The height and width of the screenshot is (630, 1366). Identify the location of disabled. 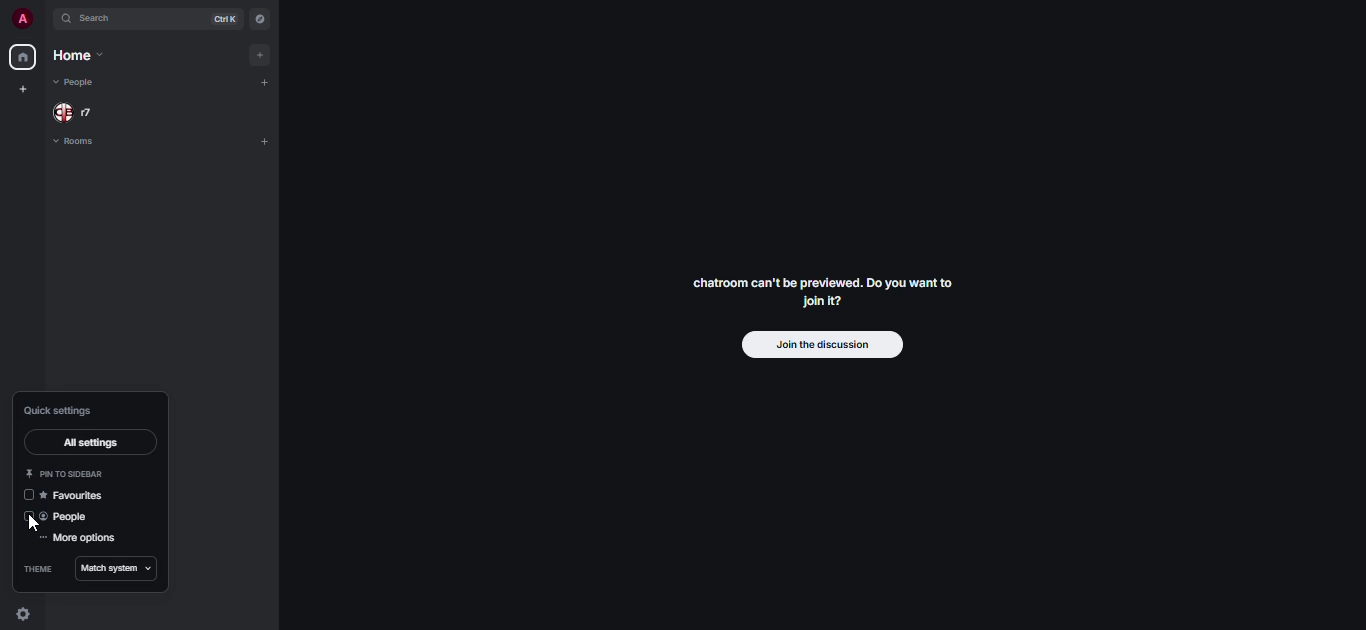
(28, 518).